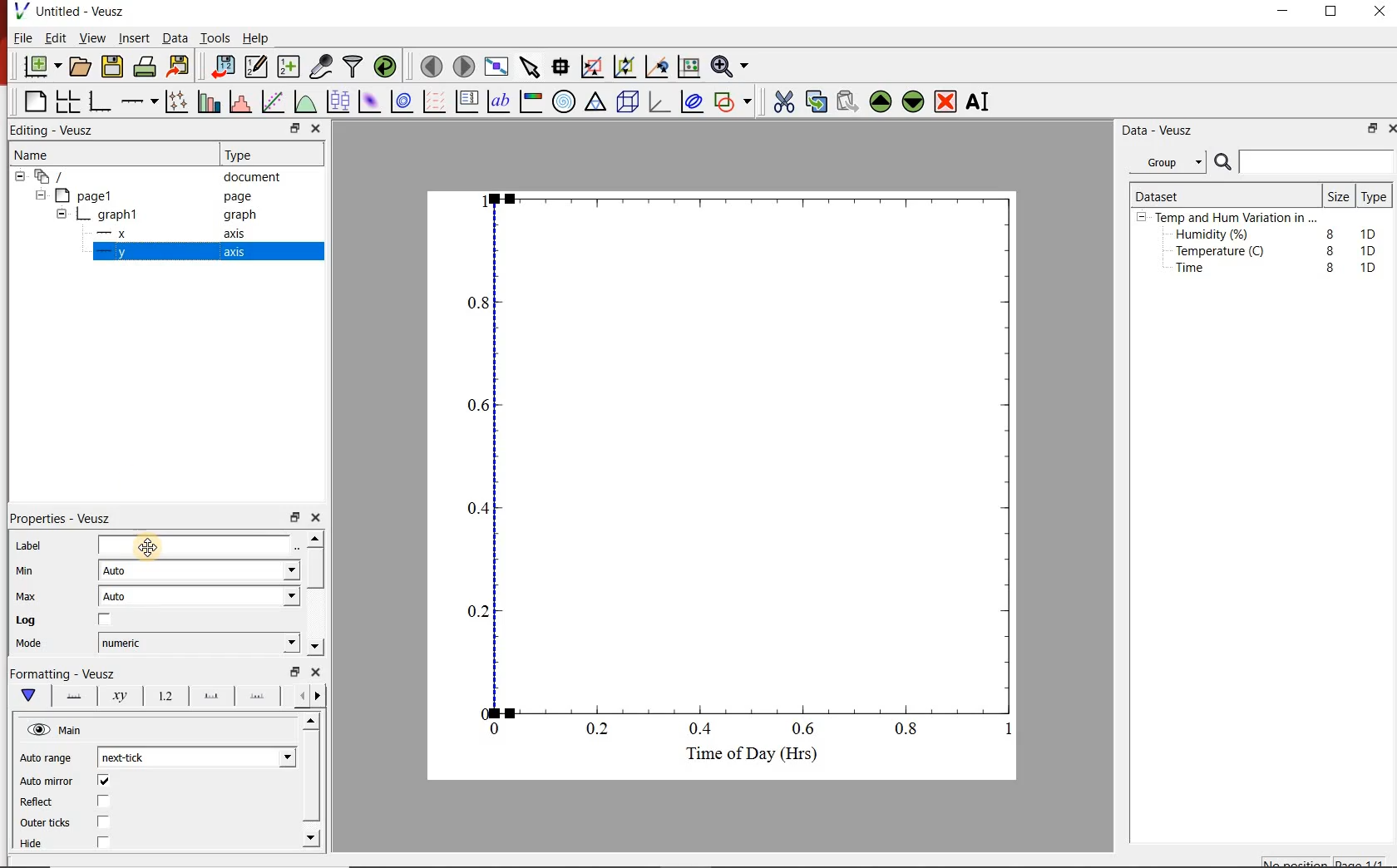 Image resolution: width=1397 pixels, height=868 pixels. Describe the element at coordinates (273, 572) in the screenshot. I see `Min dropdown` at that location.